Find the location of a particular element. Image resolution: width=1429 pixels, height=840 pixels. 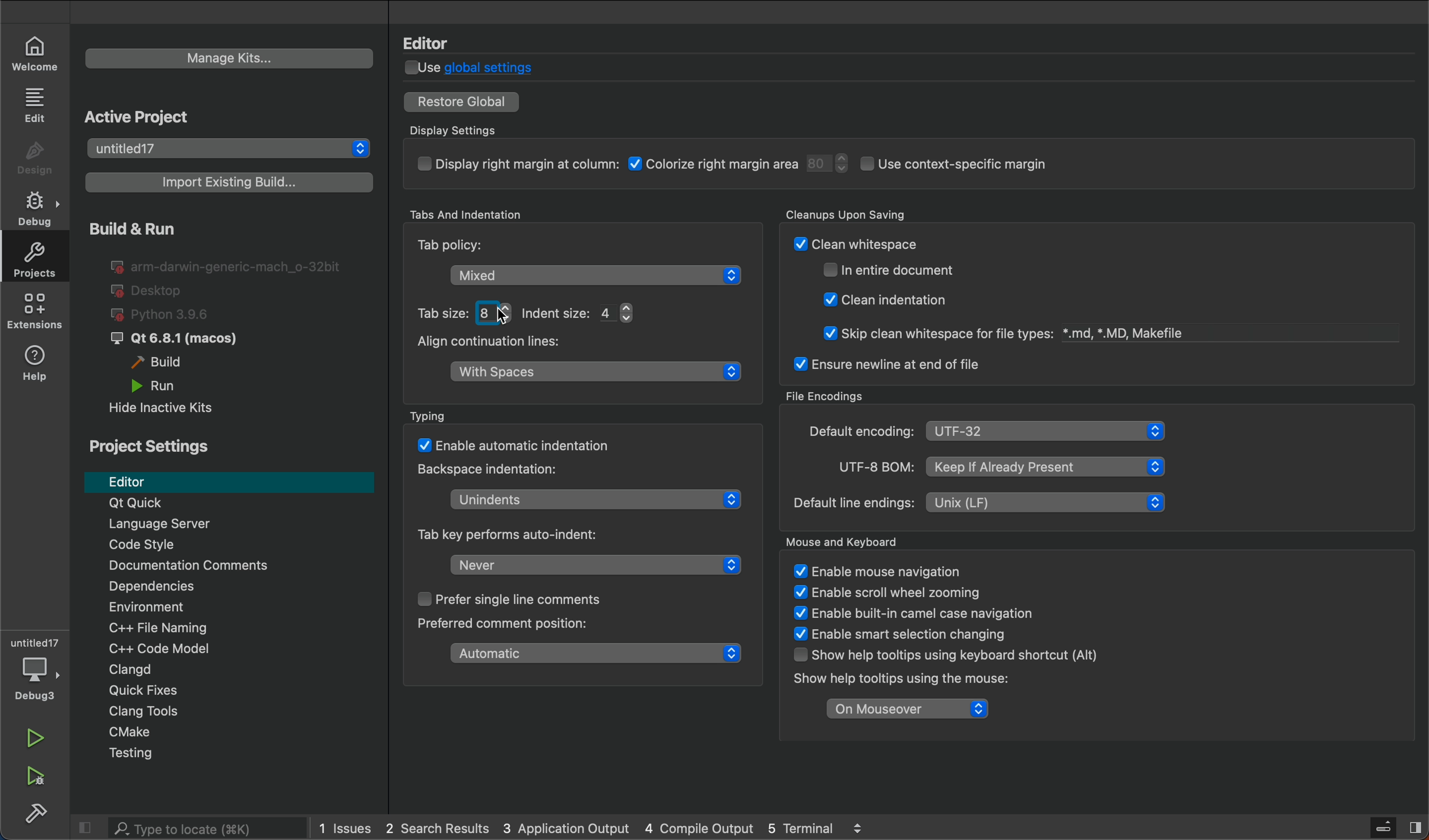

policy types is located at coordinates (557, 310).